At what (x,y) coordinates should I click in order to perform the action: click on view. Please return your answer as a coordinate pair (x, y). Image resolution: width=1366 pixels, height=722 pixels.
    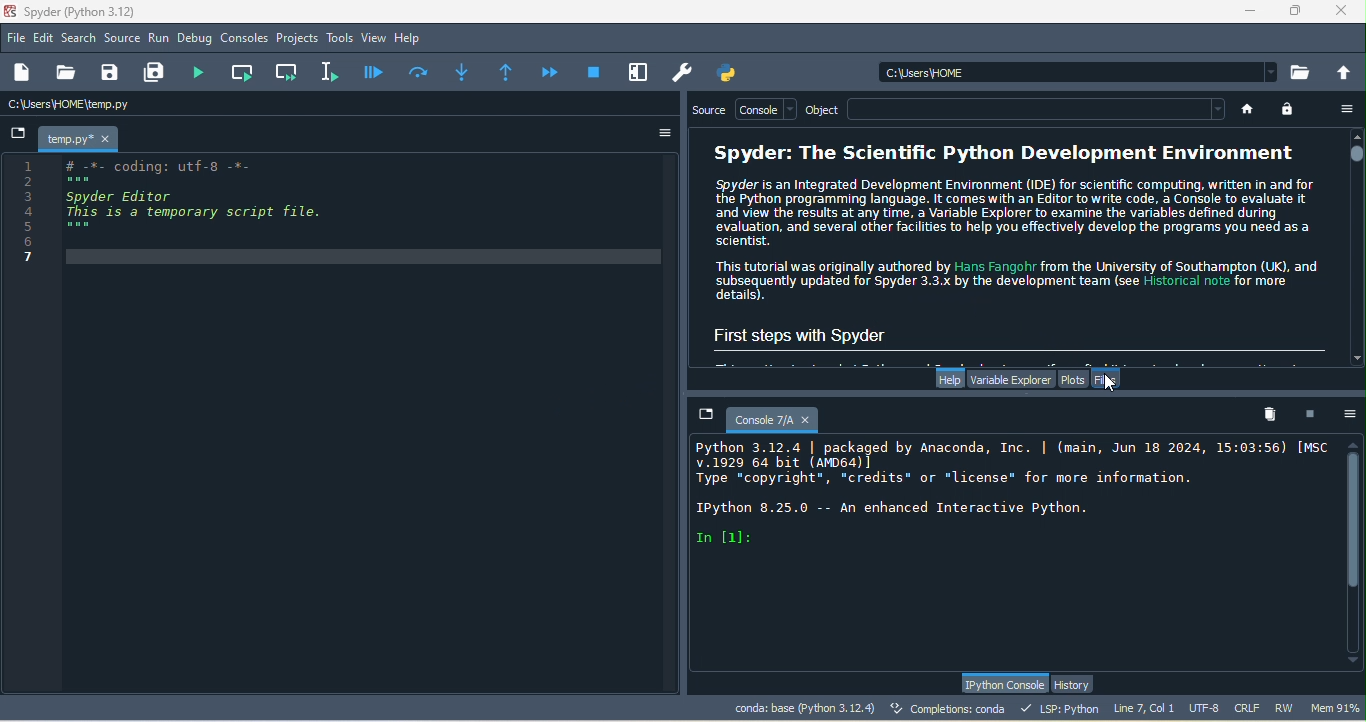
    Looking at the image, I should click on (374, 38).